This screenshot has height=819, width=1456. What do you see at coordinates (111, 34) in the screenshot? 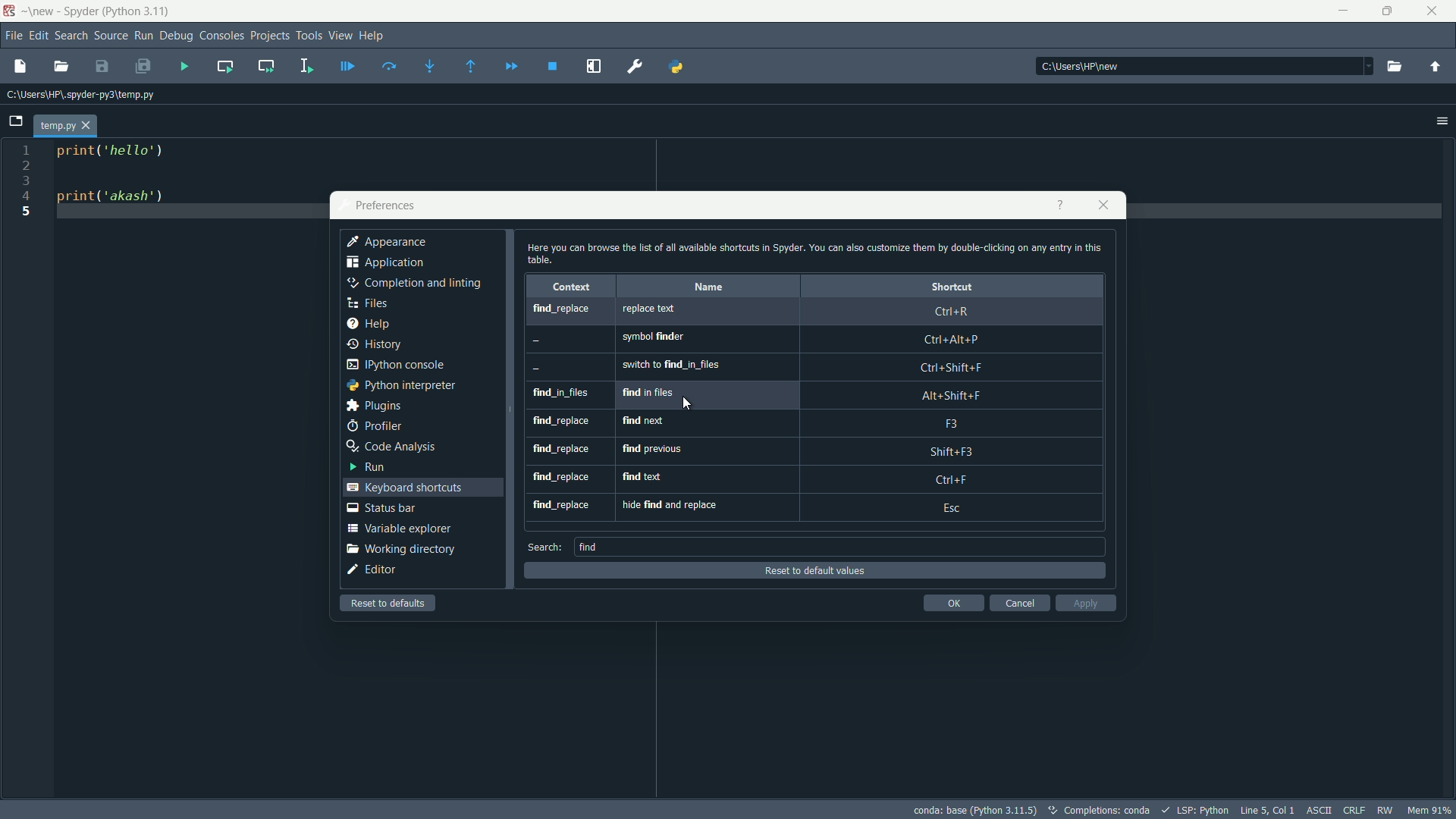
I see `Source menu` at bounding box center [111, 34].